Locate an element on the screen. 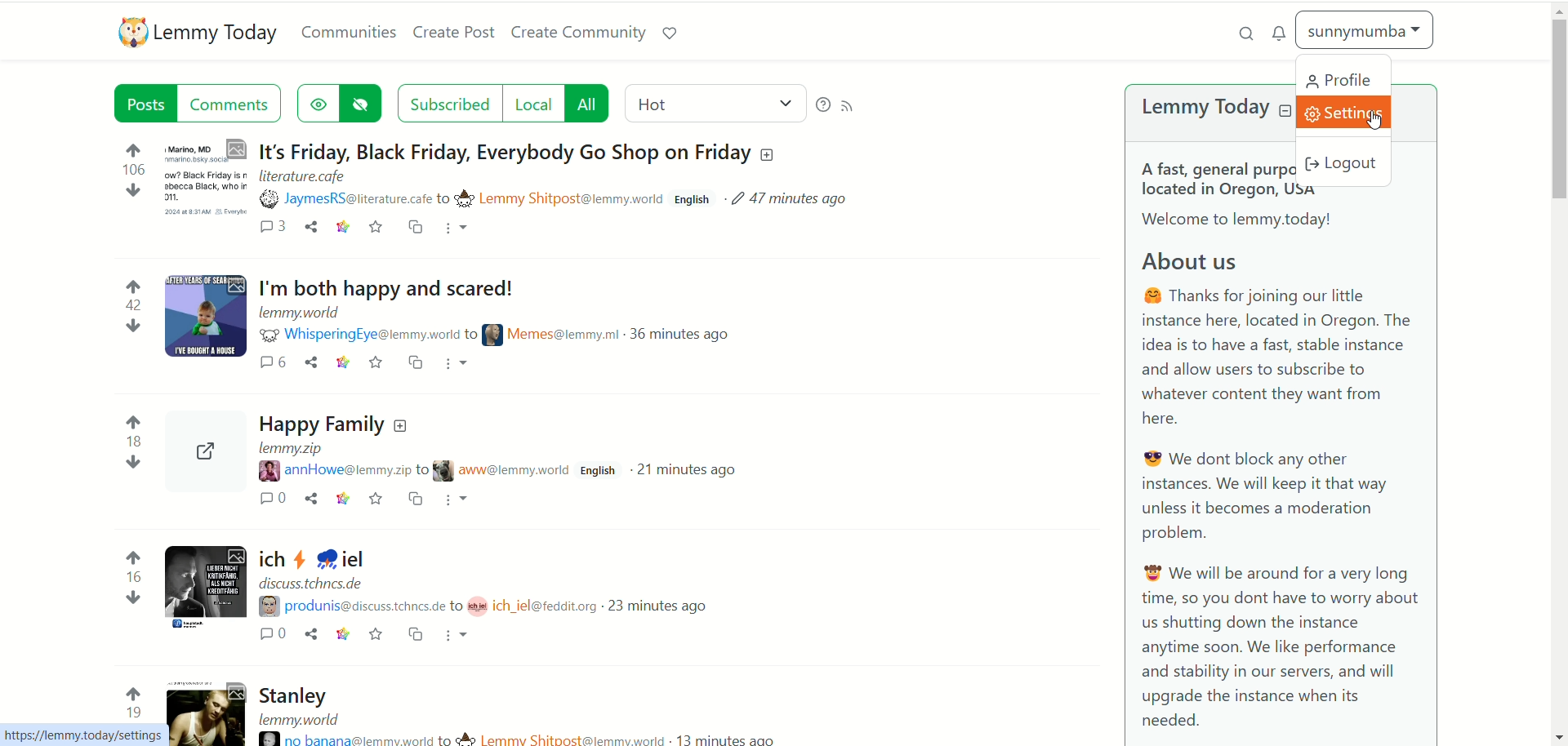  votes is located at coordinates (135, 429).